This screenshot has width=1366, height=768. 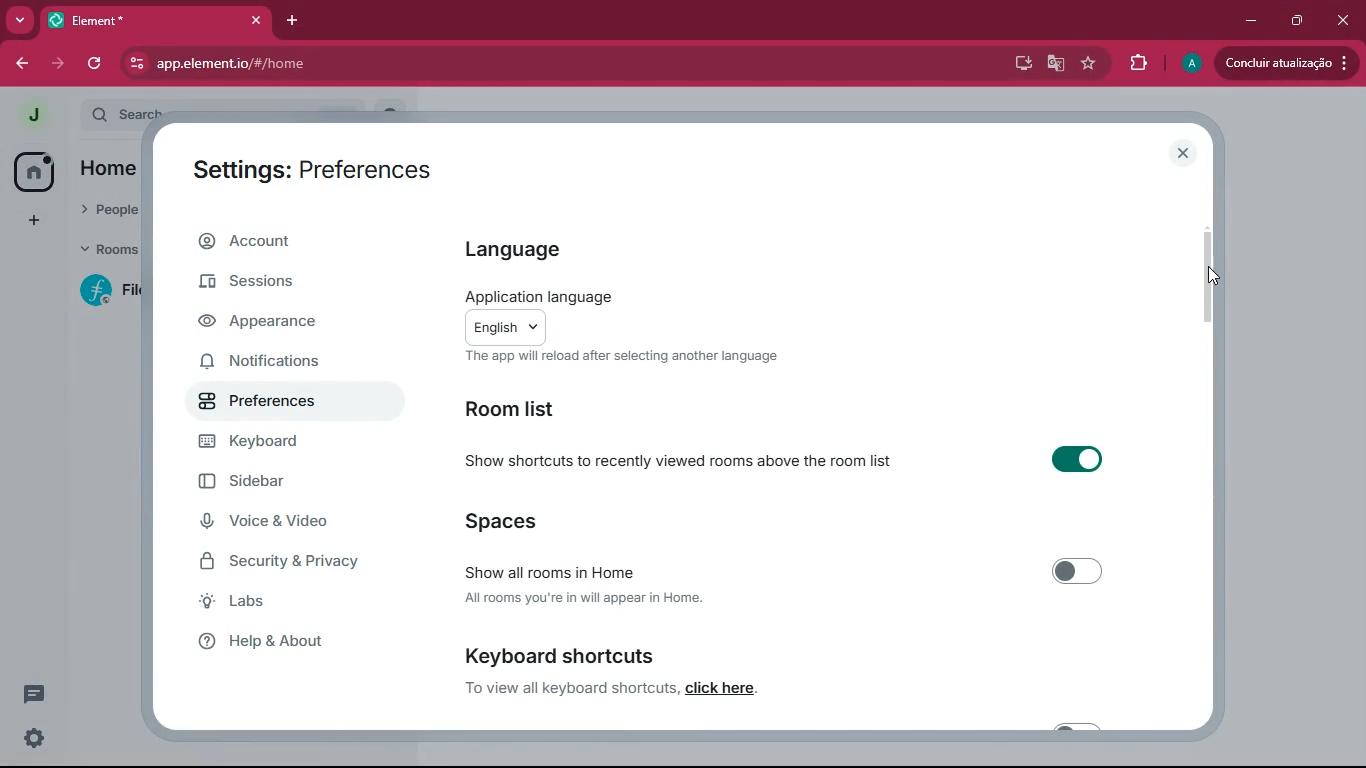 I want to click on security & privacy, so click(x=281, y=560).